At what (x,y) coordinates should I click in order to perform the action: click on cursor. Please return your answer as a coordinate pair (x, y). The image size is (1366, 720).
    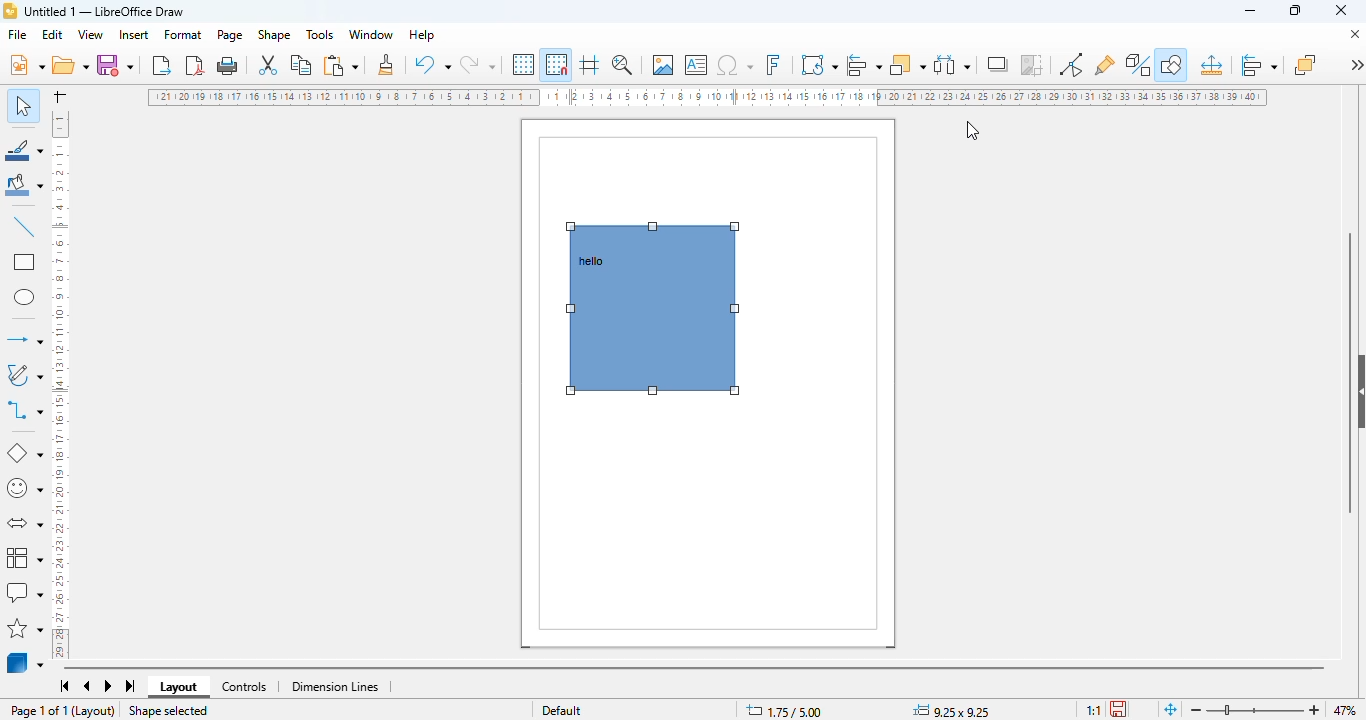
    Looking at the image, I should click on (972, 132).